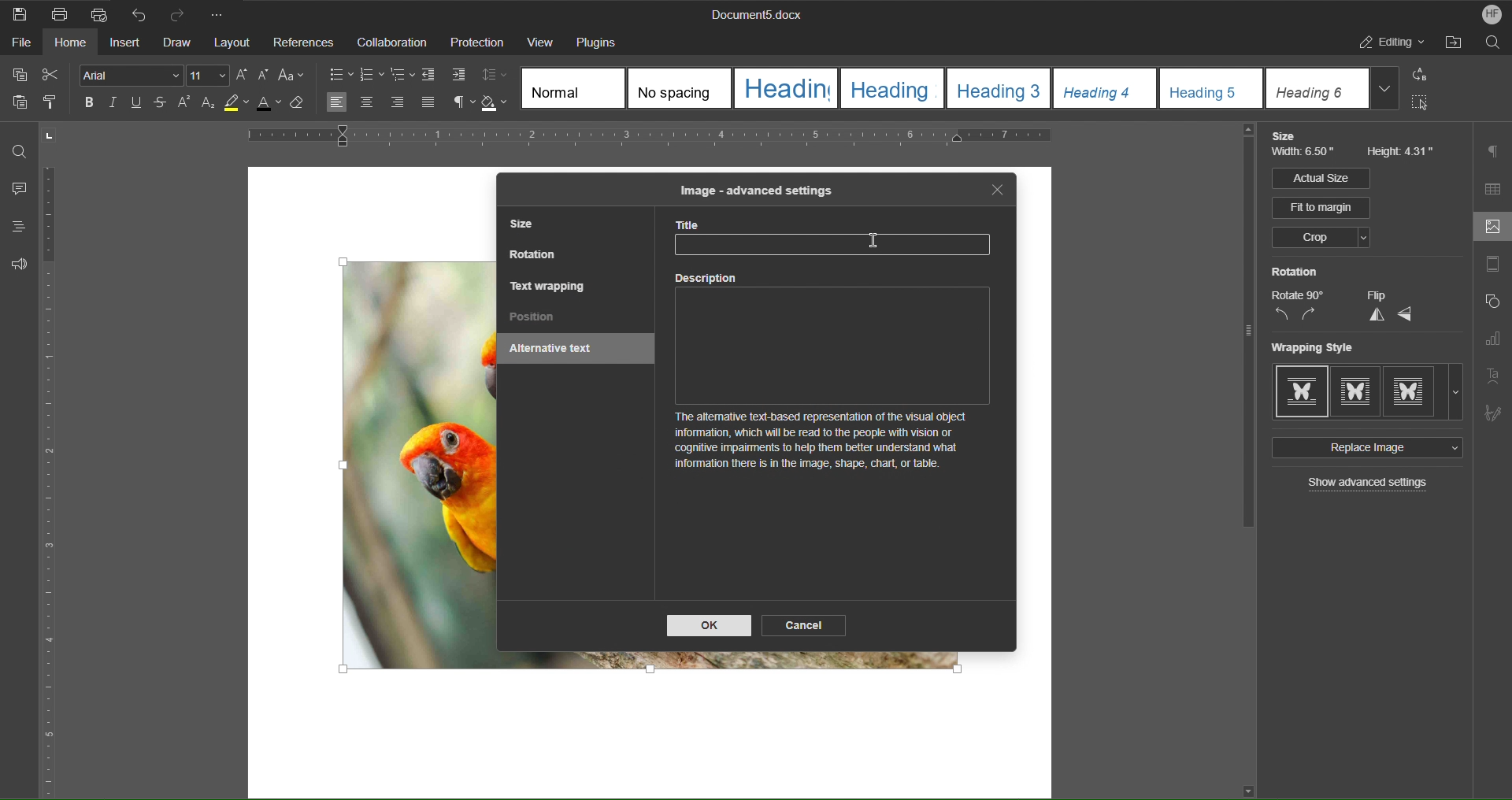  What do you see at coordinates (702, 139) in the screenshot?
I see `Horizontal Ruler` at bounding box center [702, 139].